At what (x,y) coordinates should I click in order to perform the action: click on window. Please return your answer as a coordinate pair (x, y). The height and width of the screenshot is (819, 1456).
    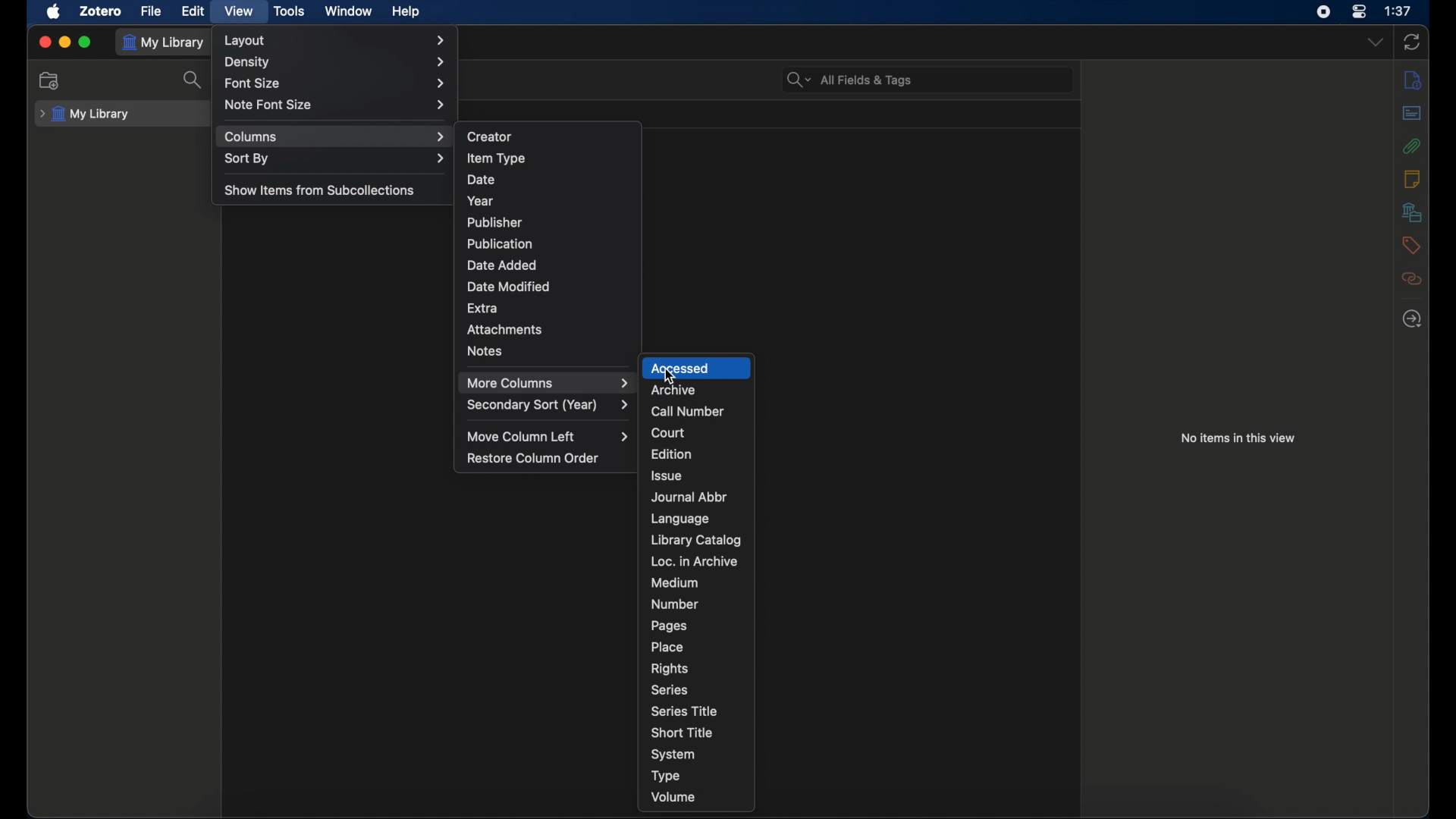
    Looking at the image, I should click on (348, 11).